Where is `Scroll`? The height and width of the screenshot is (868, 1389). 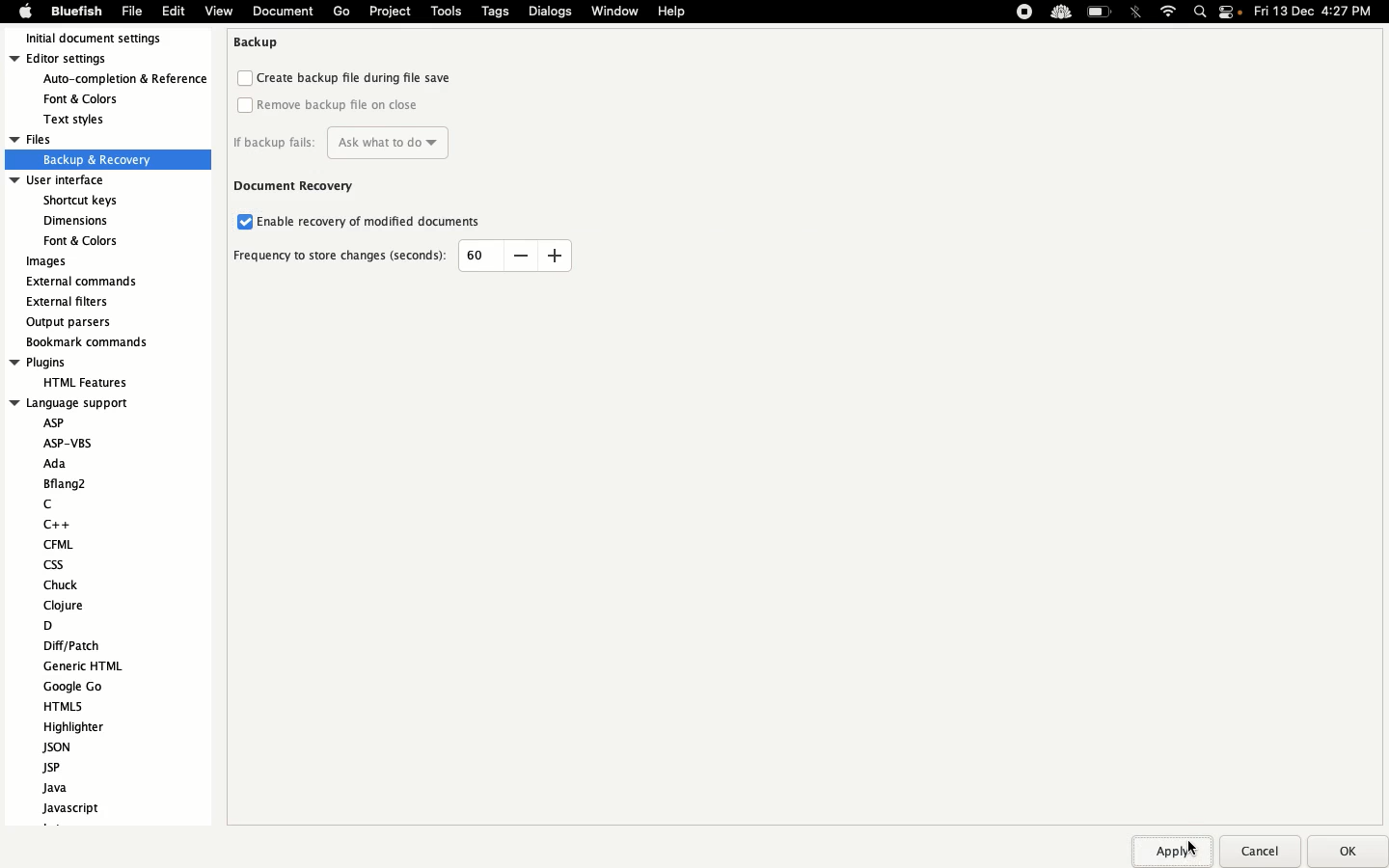 Scroll is located at coordinates (208, 319).